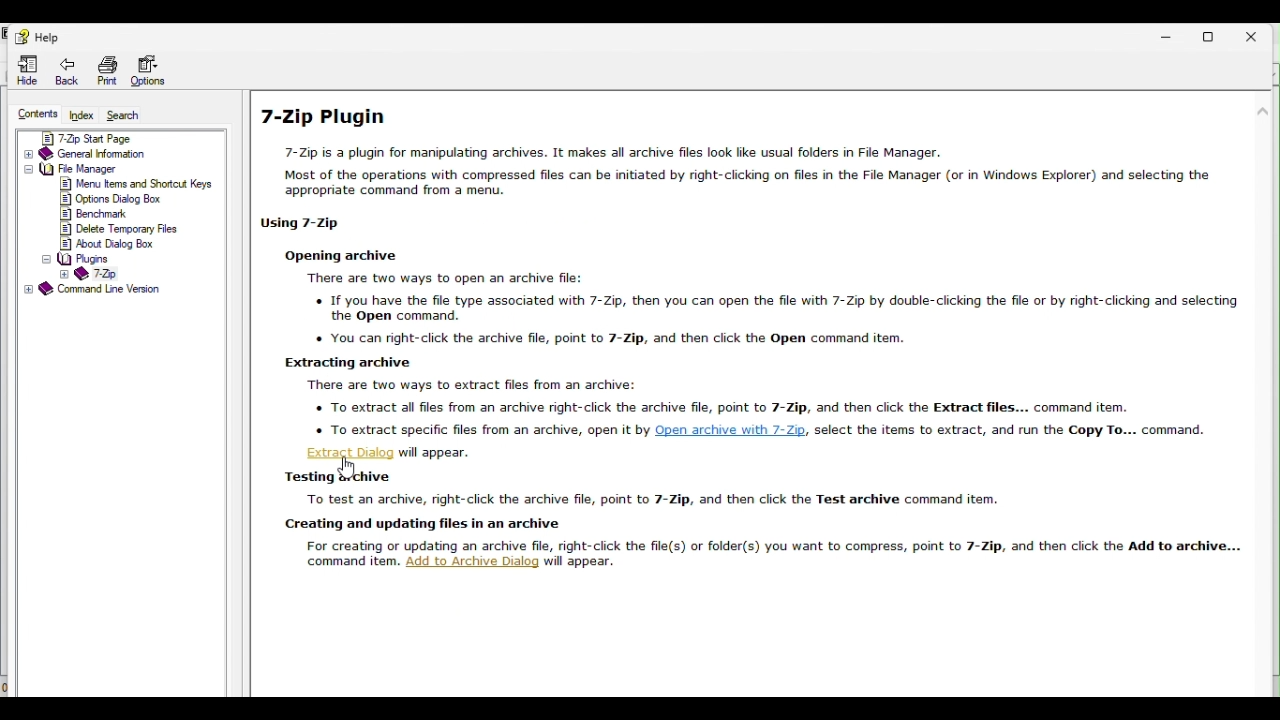 This screenshot has width=1280, height=720. I want to click on text, so click(761, 297).